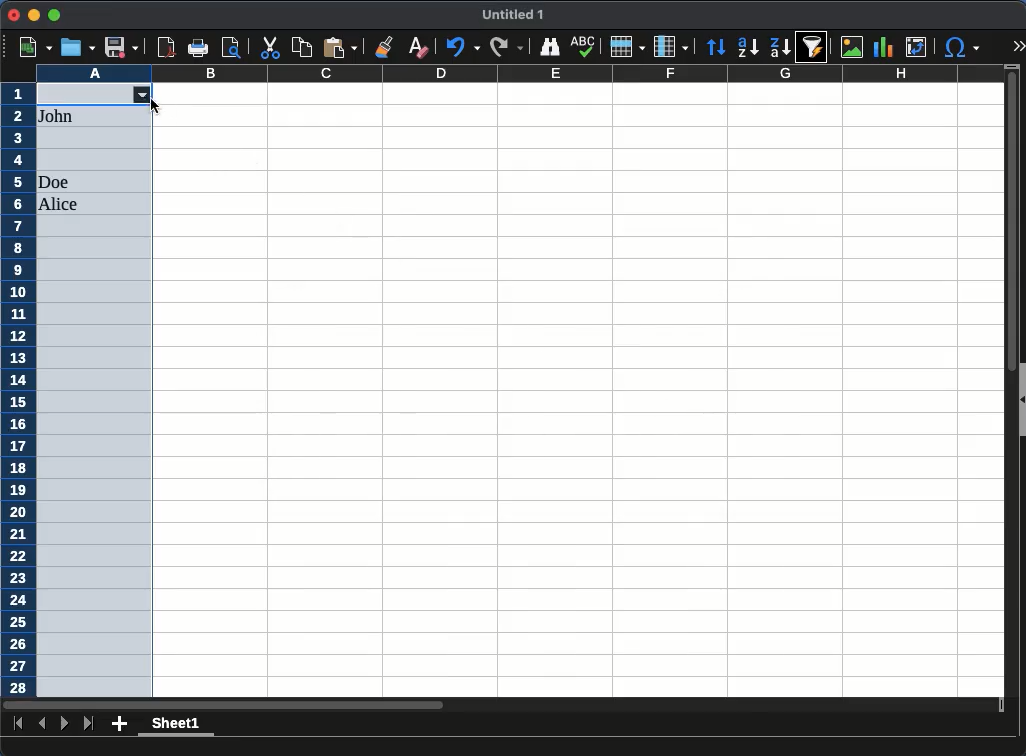  Describe the element at coordinates (198, 48) in the screenshot. I see `print` at that location.